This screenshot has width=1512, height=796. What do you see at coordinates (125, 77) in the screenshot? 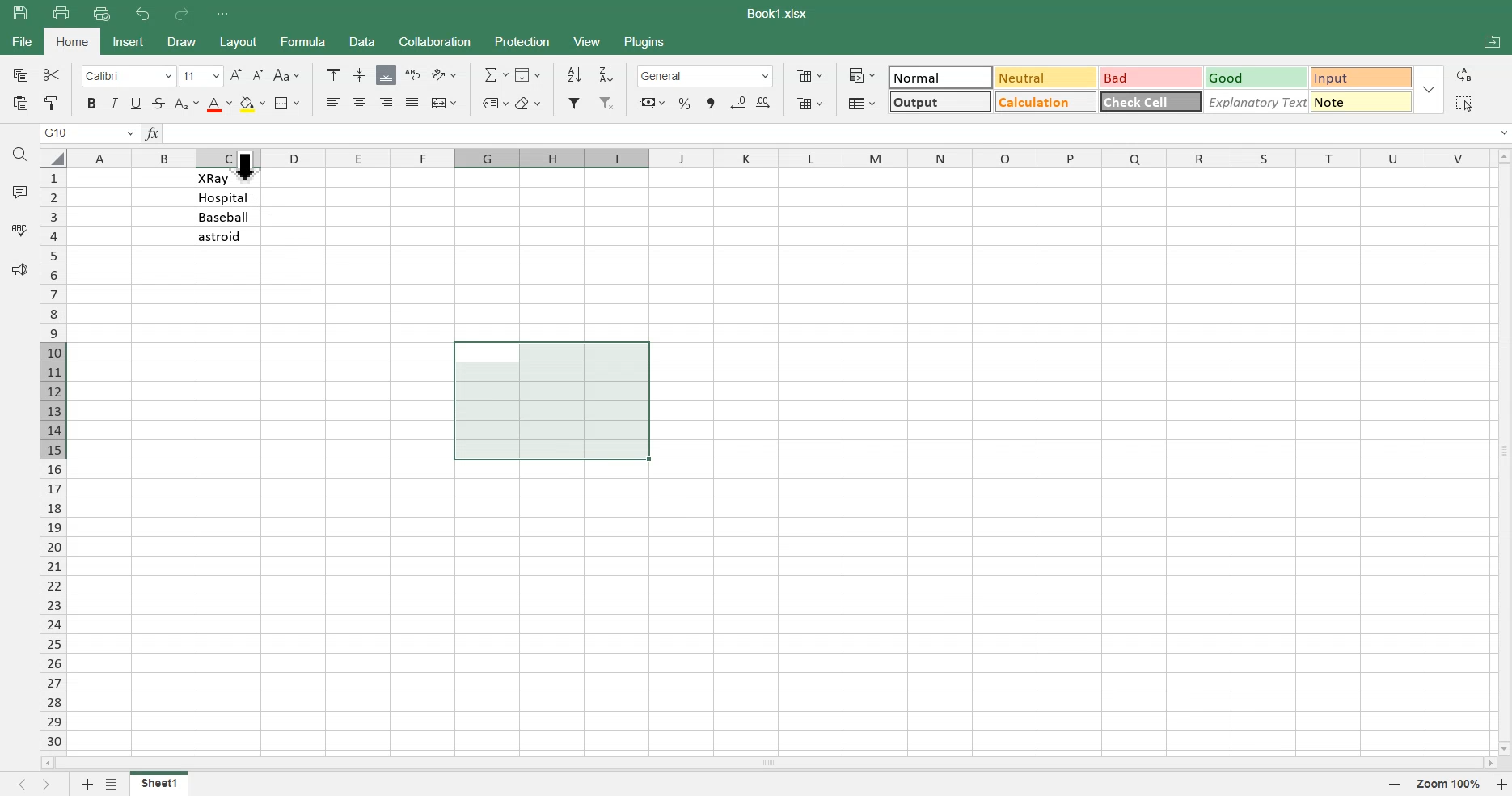
I see `Calibri (Change Font)` at bounding box center [125, 77].